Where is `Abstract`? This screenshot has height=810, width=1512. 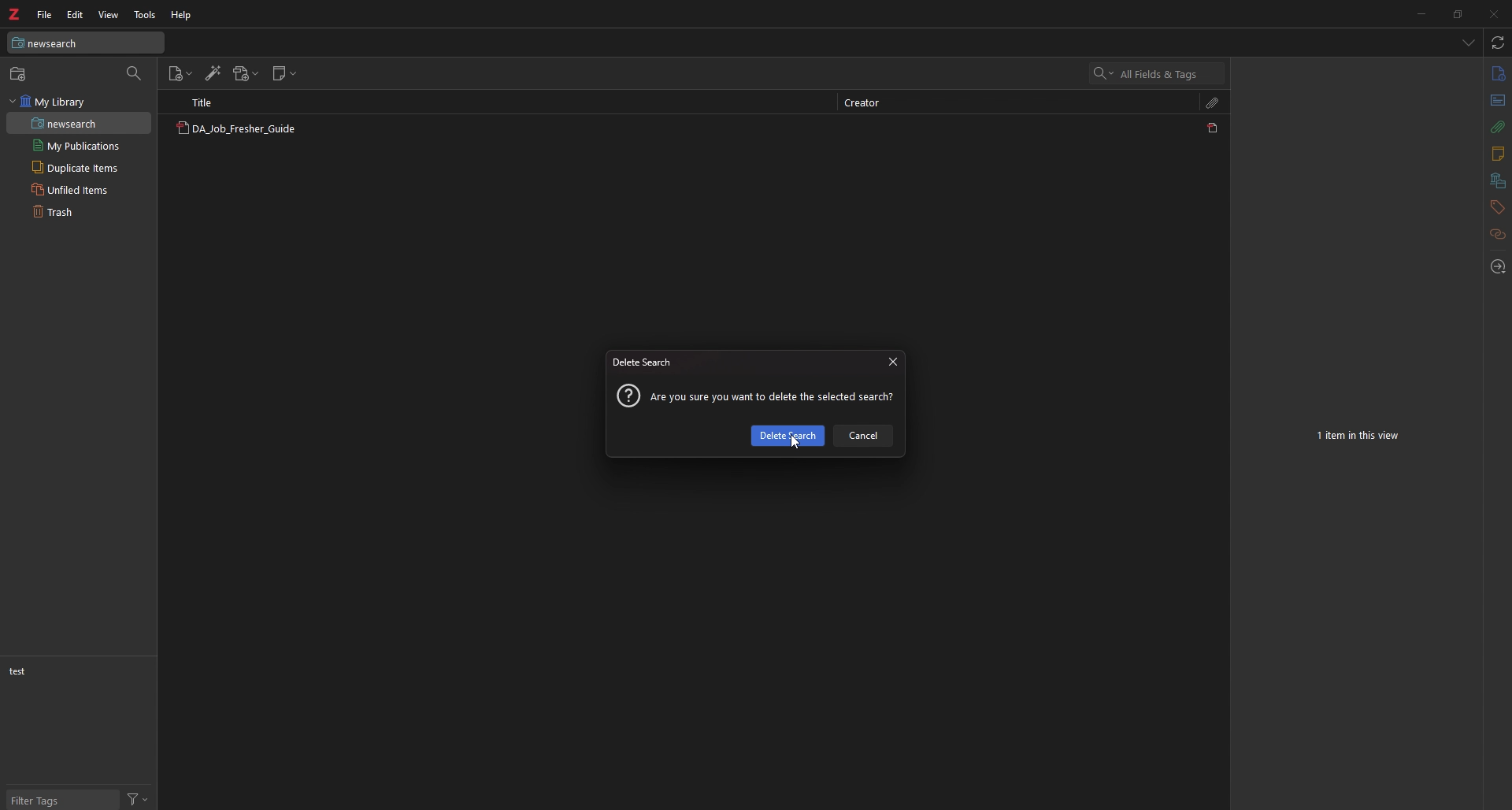 Abstract is located at coordinates (1495, 98).